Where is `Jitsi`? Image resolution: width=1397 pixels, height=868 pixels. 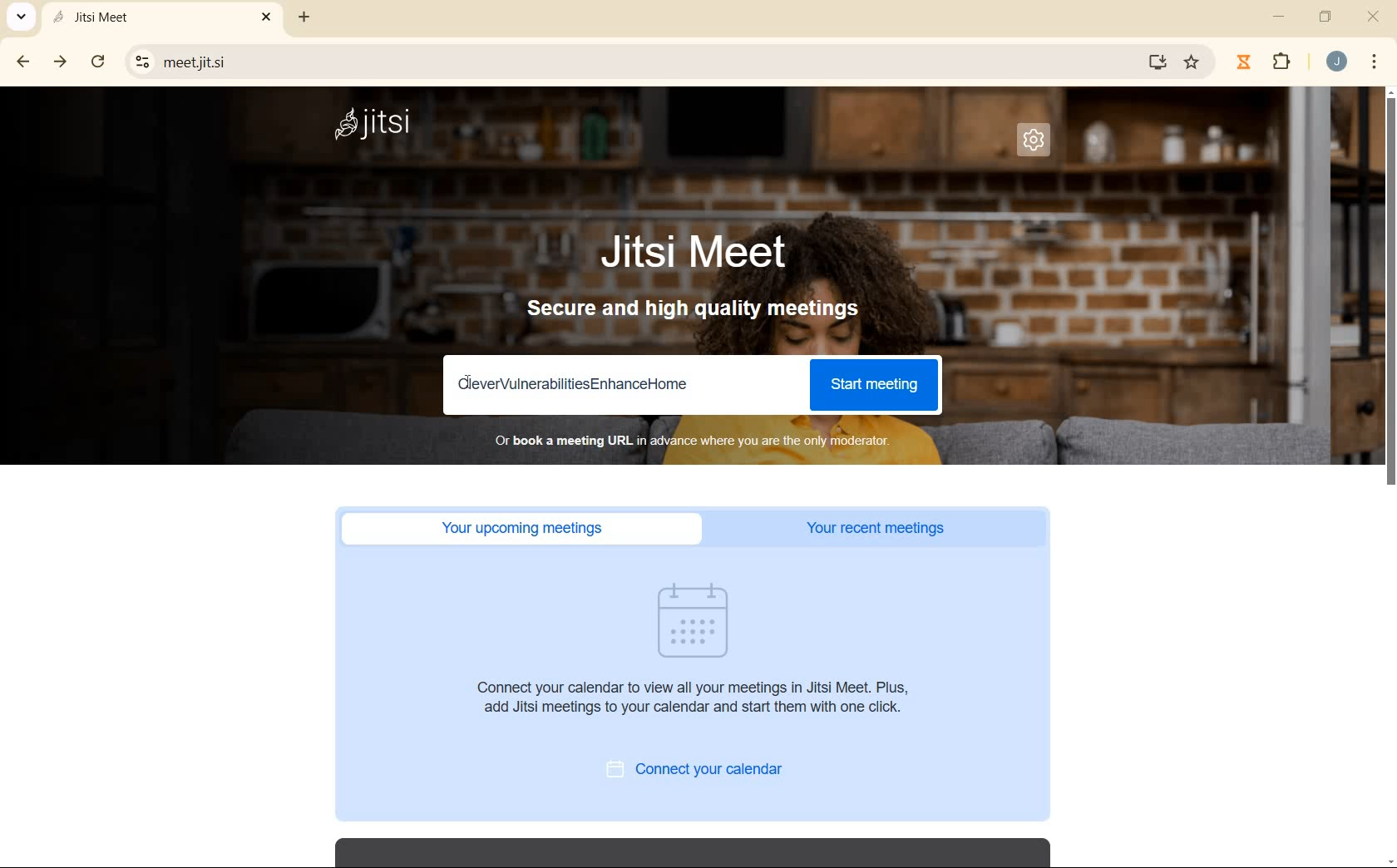
Jitsi is located at coordinates (373, 126).